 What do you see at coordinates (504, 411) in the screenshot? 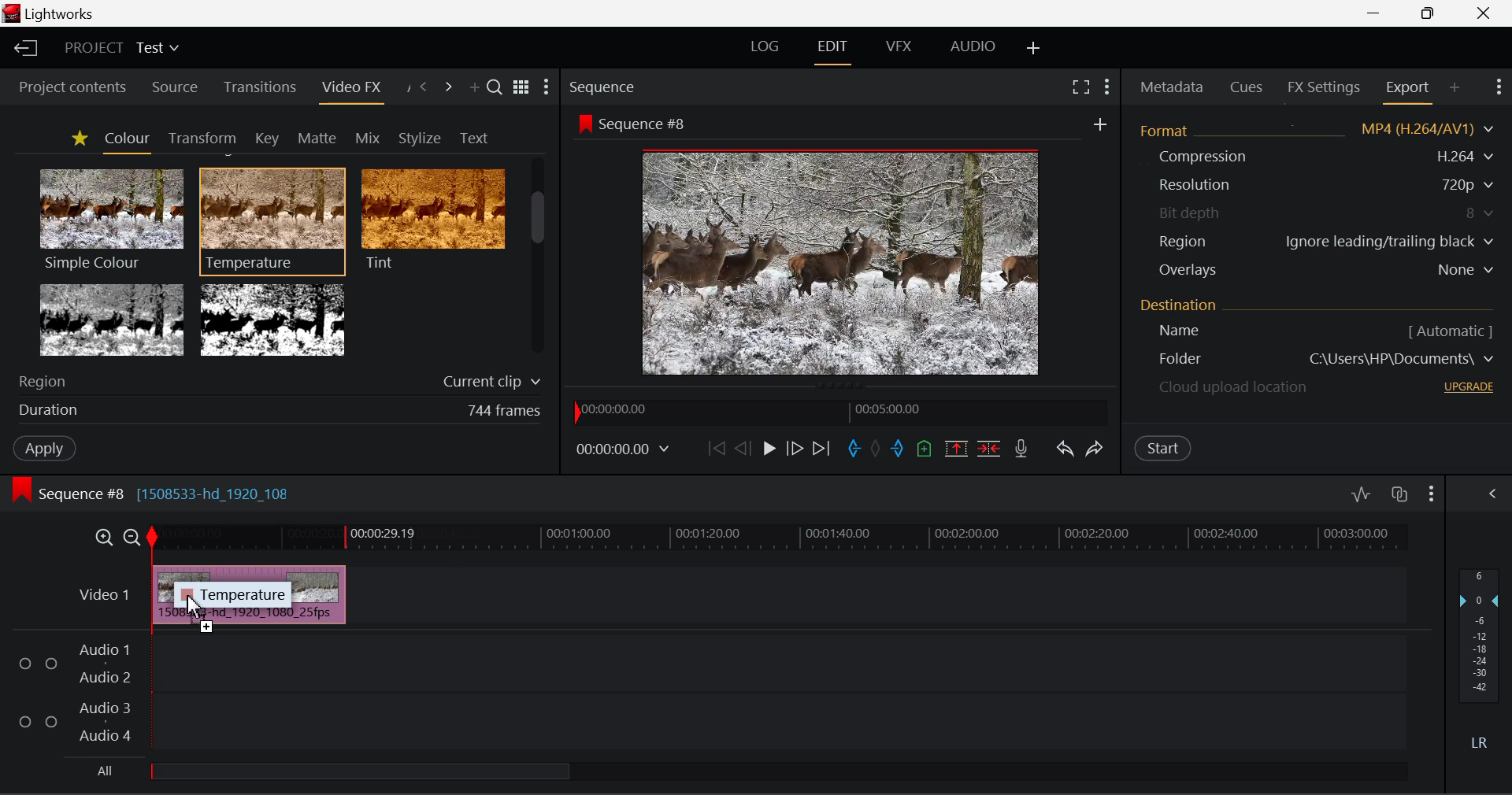
I see `744 frames` at bounding box center [504, 411].